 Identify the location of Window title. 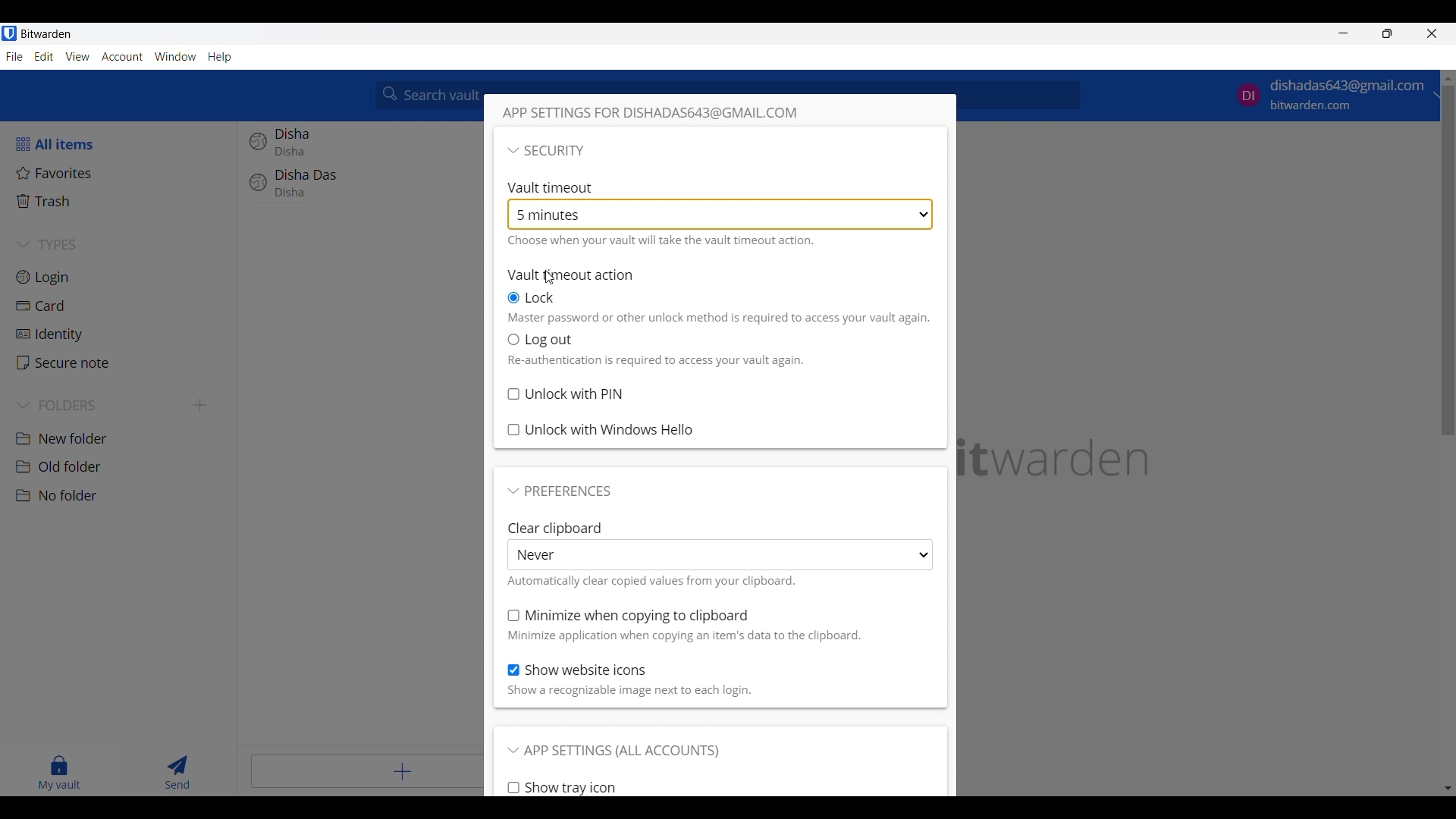
(667, 113).